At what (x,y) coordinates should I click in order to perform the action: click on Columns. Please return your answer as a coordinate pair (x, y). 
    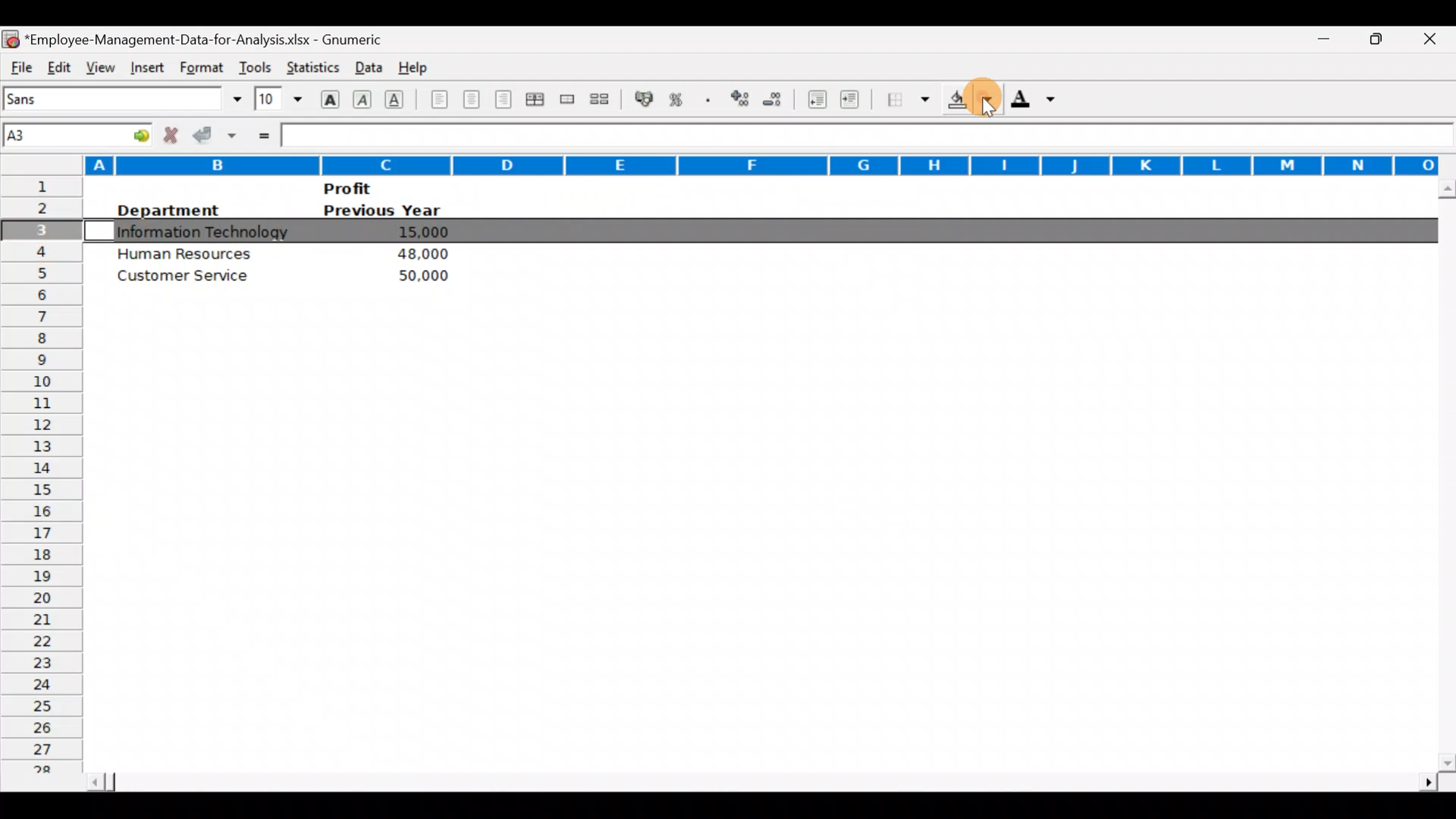
    Looking at the image, I should click on (724, 161).